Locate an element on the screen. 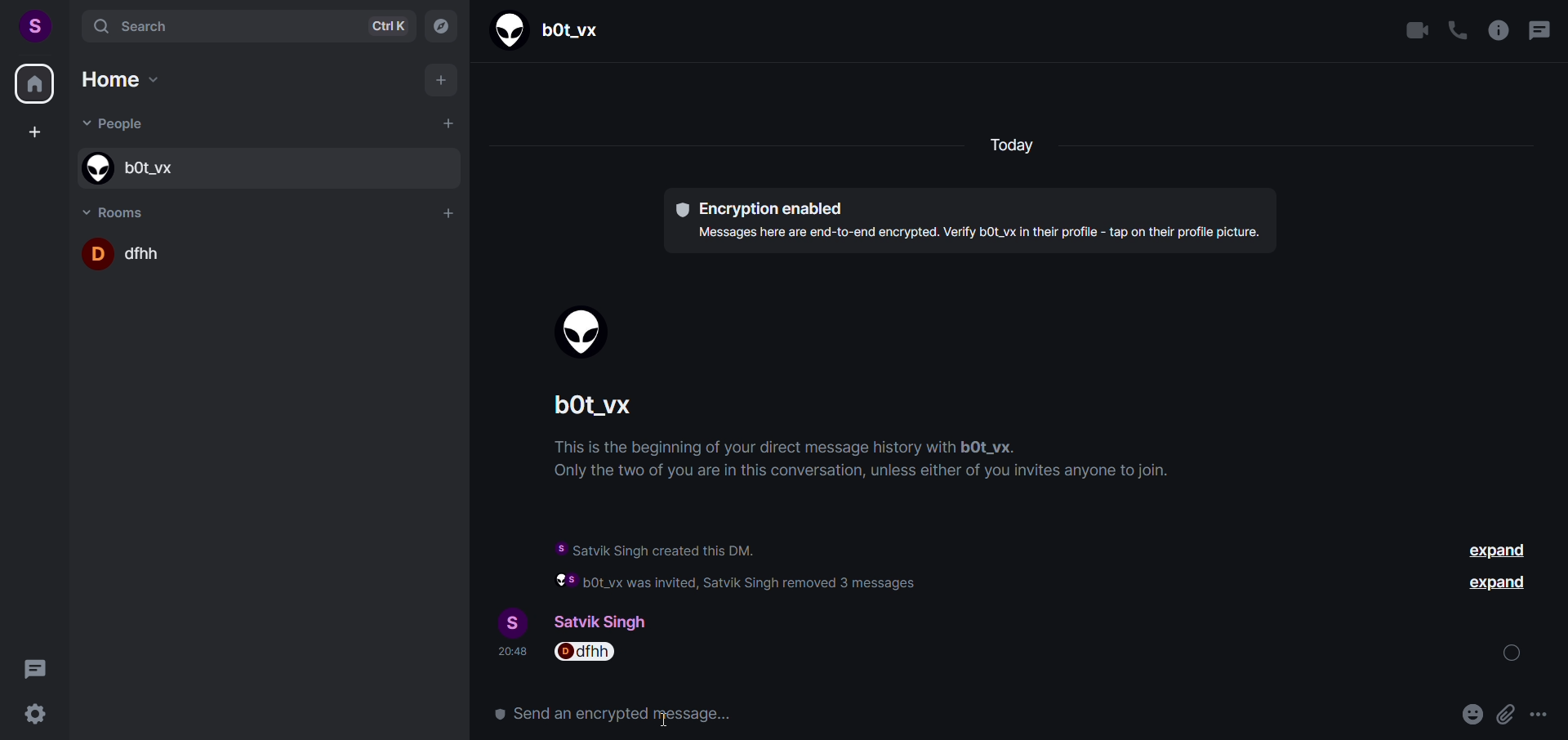 This screenshot has height=740, width=1568. time is located at coordinates (510, 655).